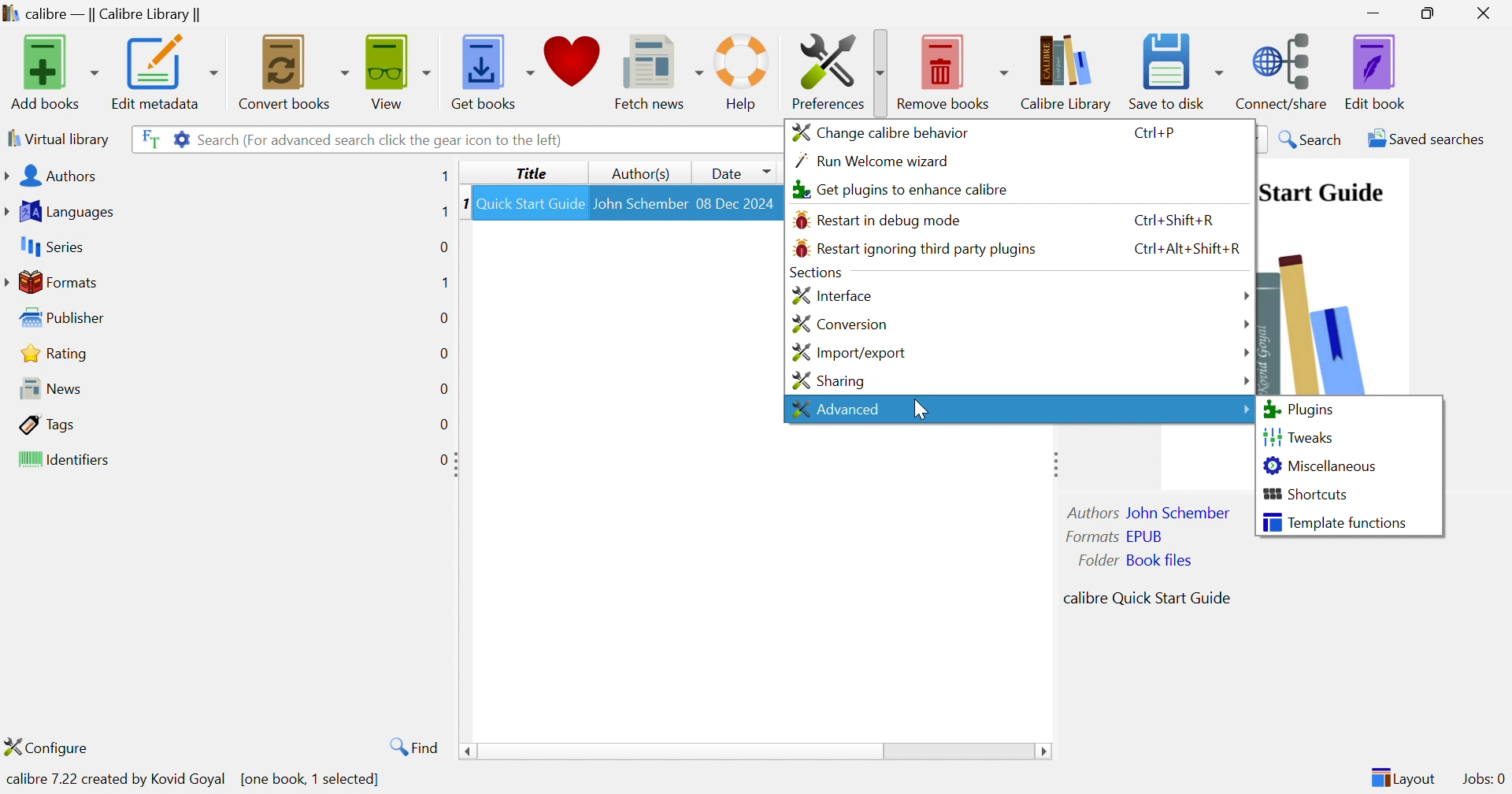 The image size is (1512, 794). I want to click on Drop Down, so click(1242, 406).